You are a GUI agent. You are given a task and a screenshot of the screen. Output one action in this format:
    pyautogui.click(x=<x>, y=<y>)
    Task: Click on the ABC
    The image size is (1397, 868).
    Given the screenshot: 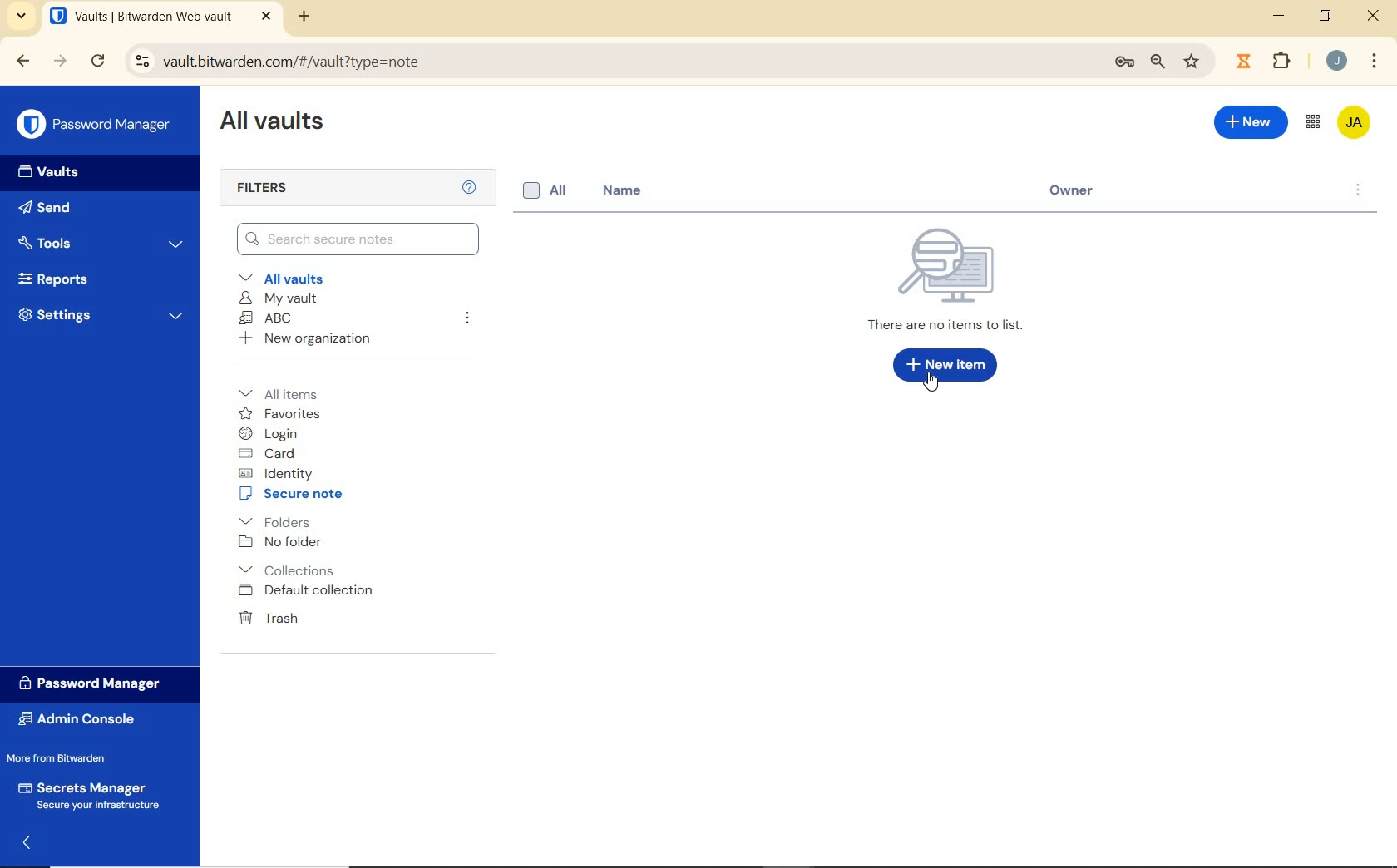 What is the action you would take?
    pyautogui.click(x=266, y=319)
    